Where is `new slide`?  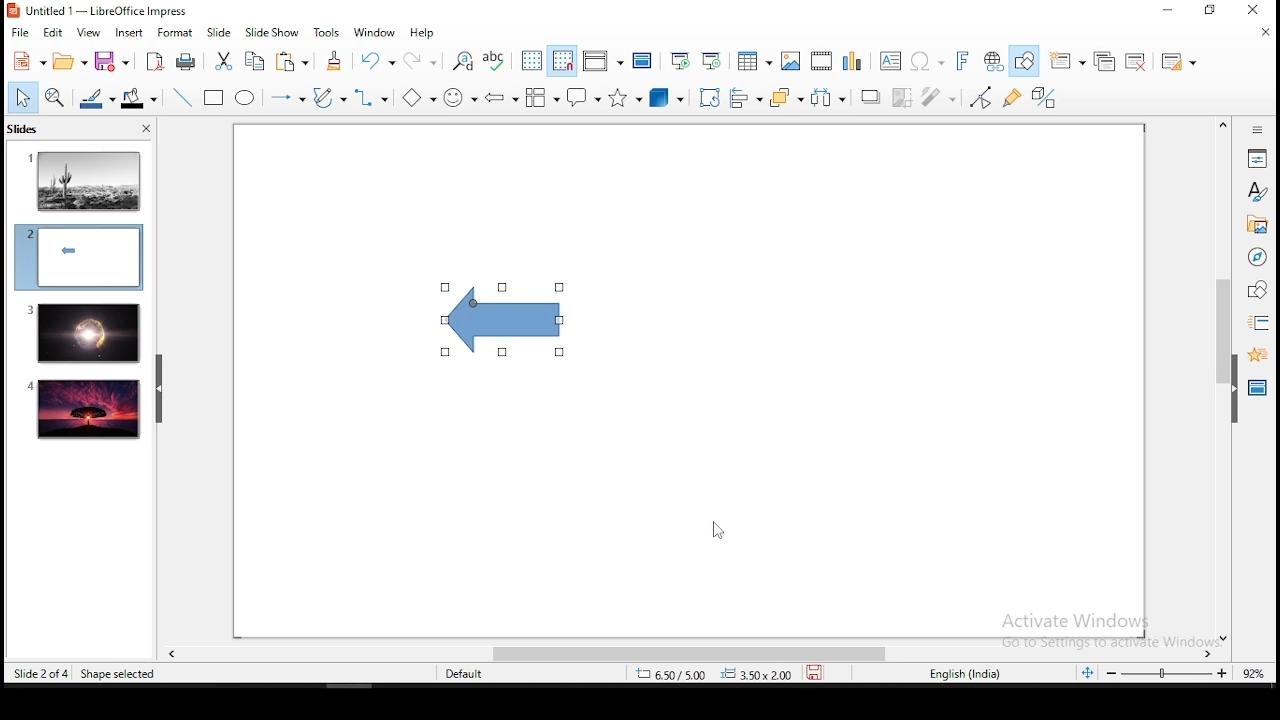
new slide is located at coordinates (1069, 60).